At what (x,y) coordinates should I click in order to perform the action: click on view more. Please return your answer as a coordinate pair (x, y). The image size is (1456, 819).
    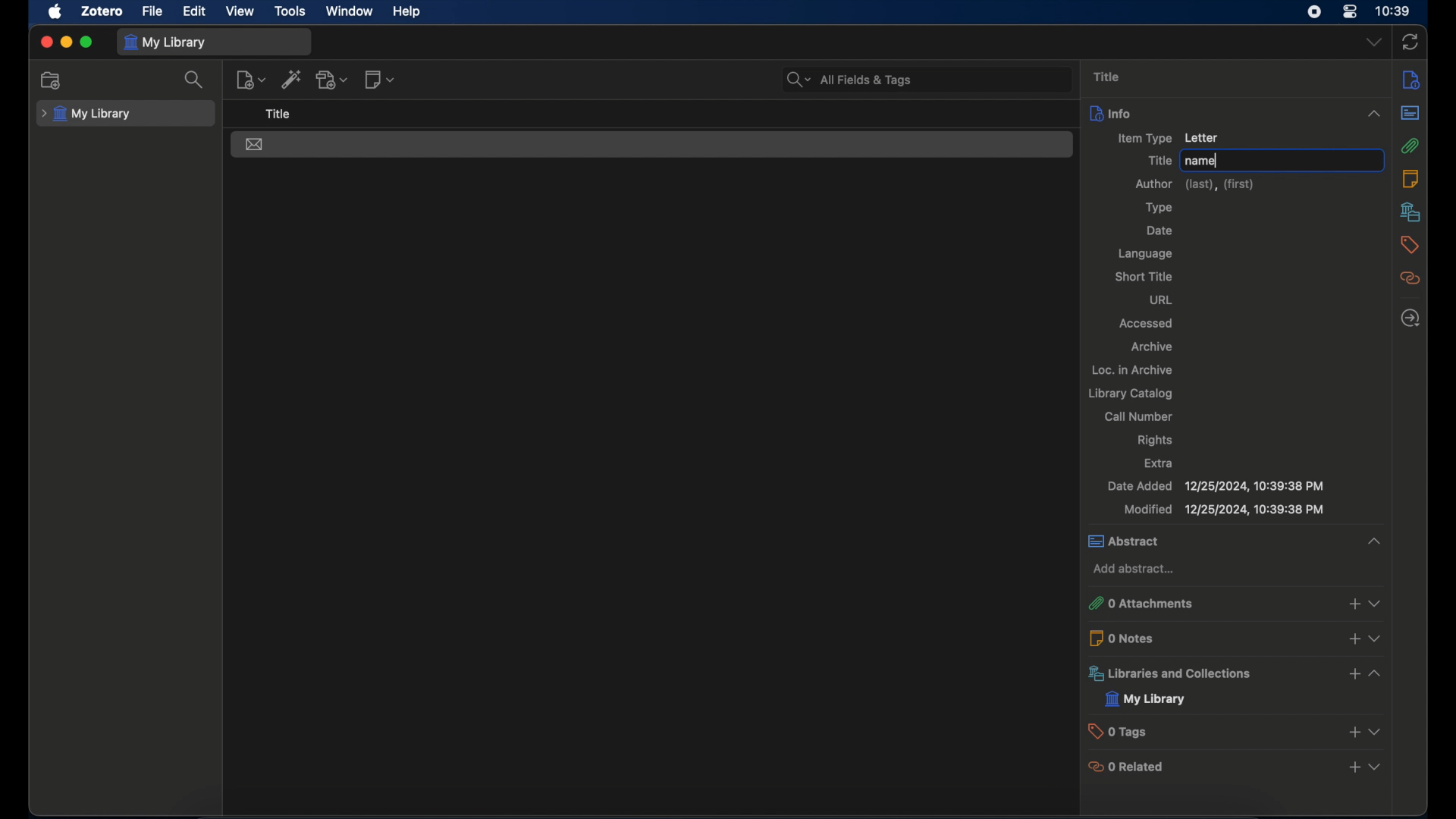
    Looking at the image, I should click on (1379, 603).